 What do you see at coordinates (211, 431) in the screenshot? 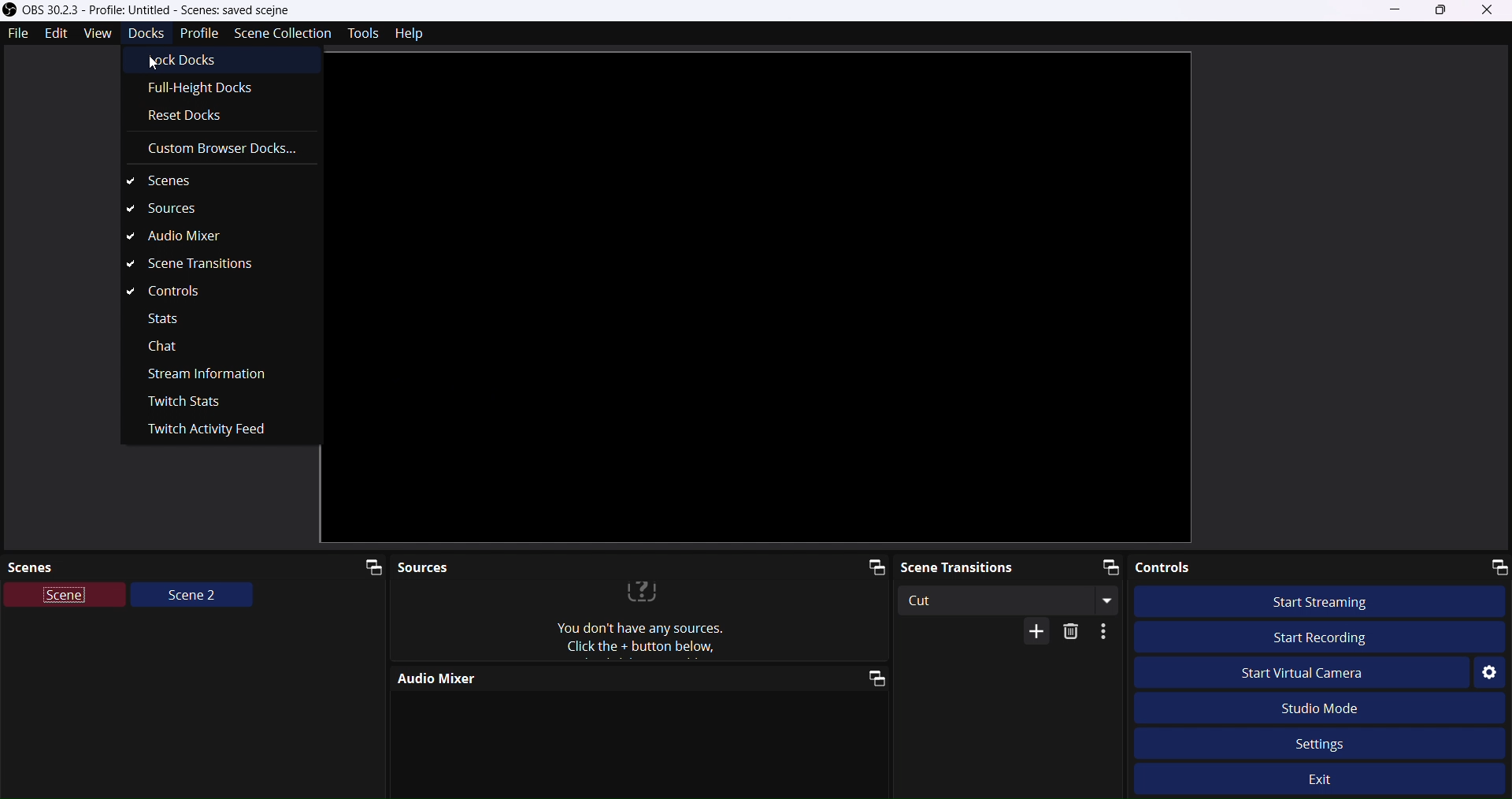
I see `Twitch activity feed` at bounding box center [211, 431].